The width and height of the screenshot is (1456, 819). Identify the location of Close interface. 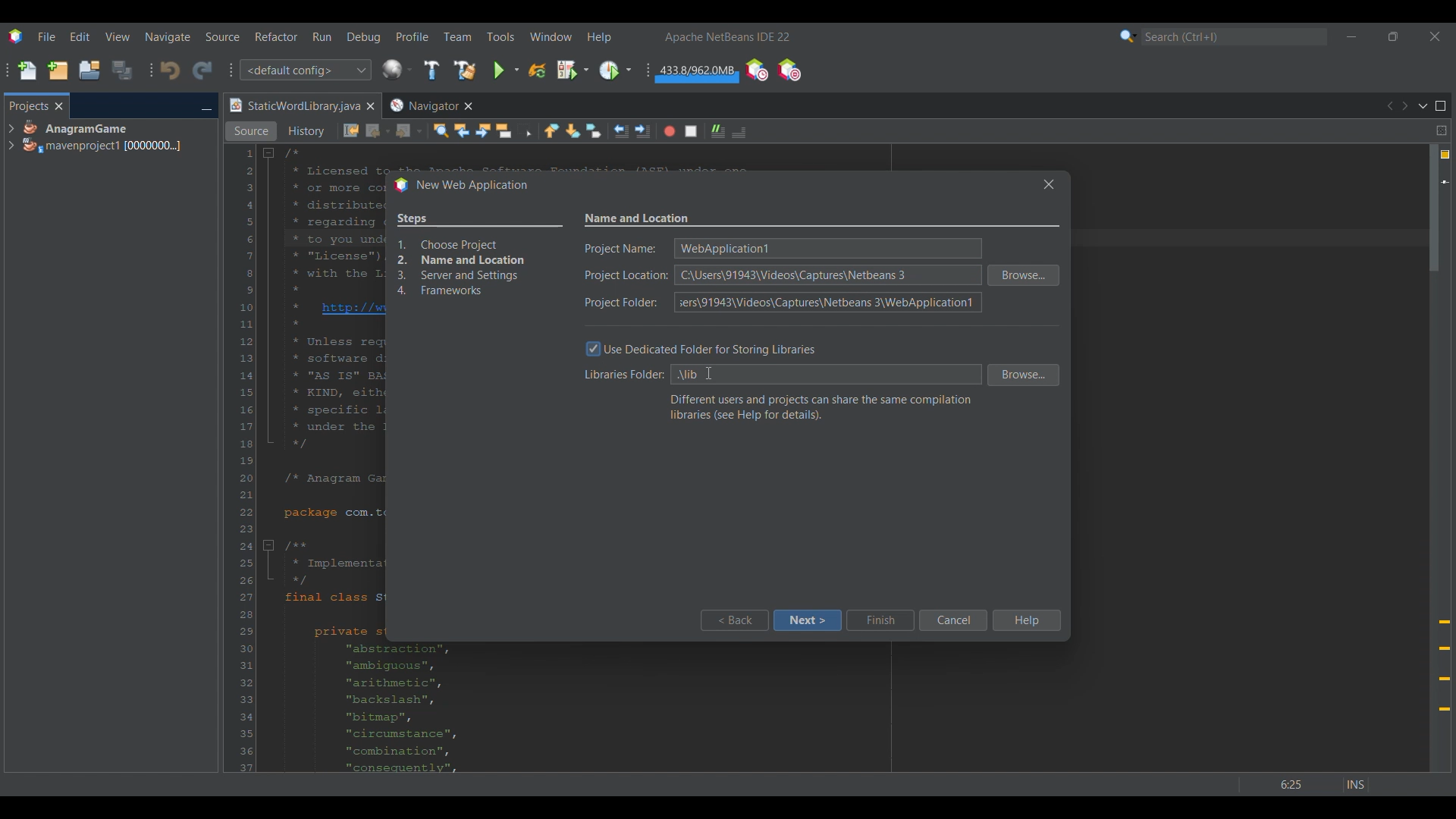
(1435, 36).